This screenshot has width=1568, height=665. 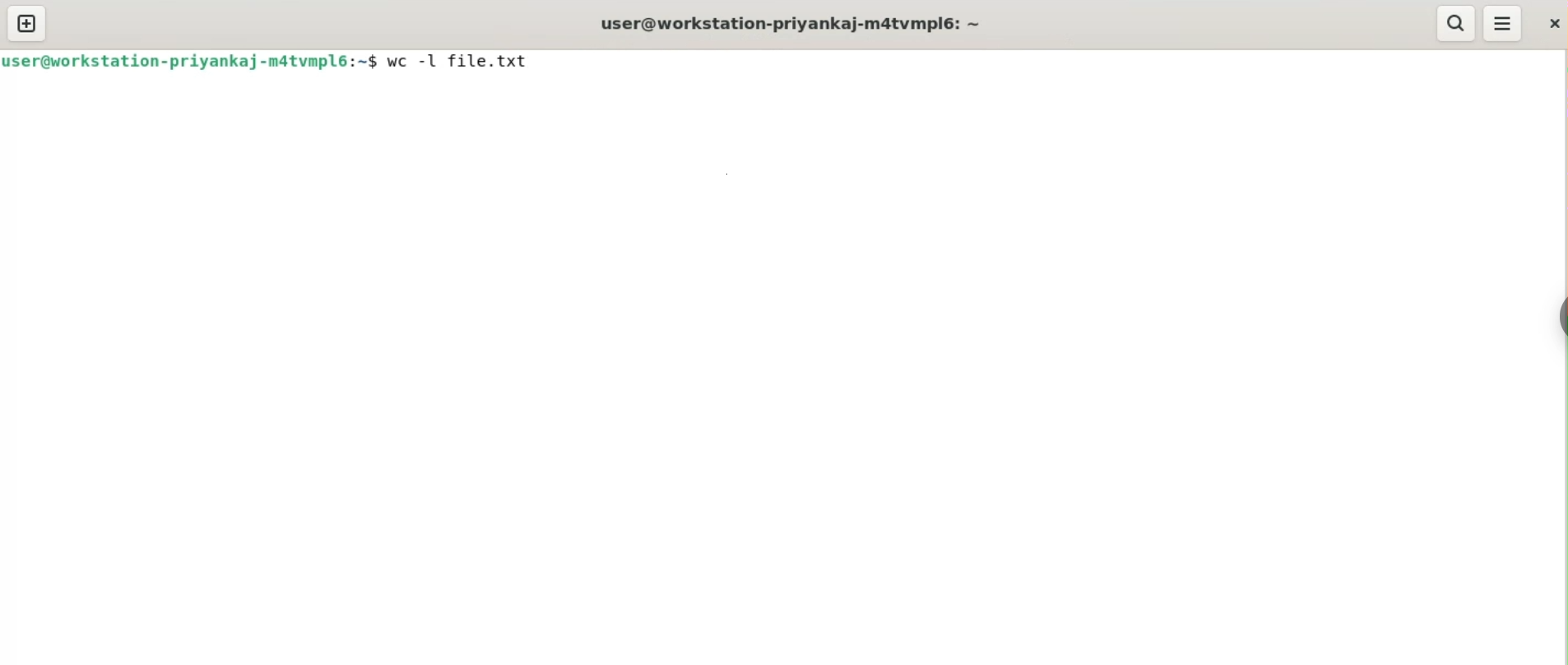 I want to click on search, so click(x=1457, y=23).